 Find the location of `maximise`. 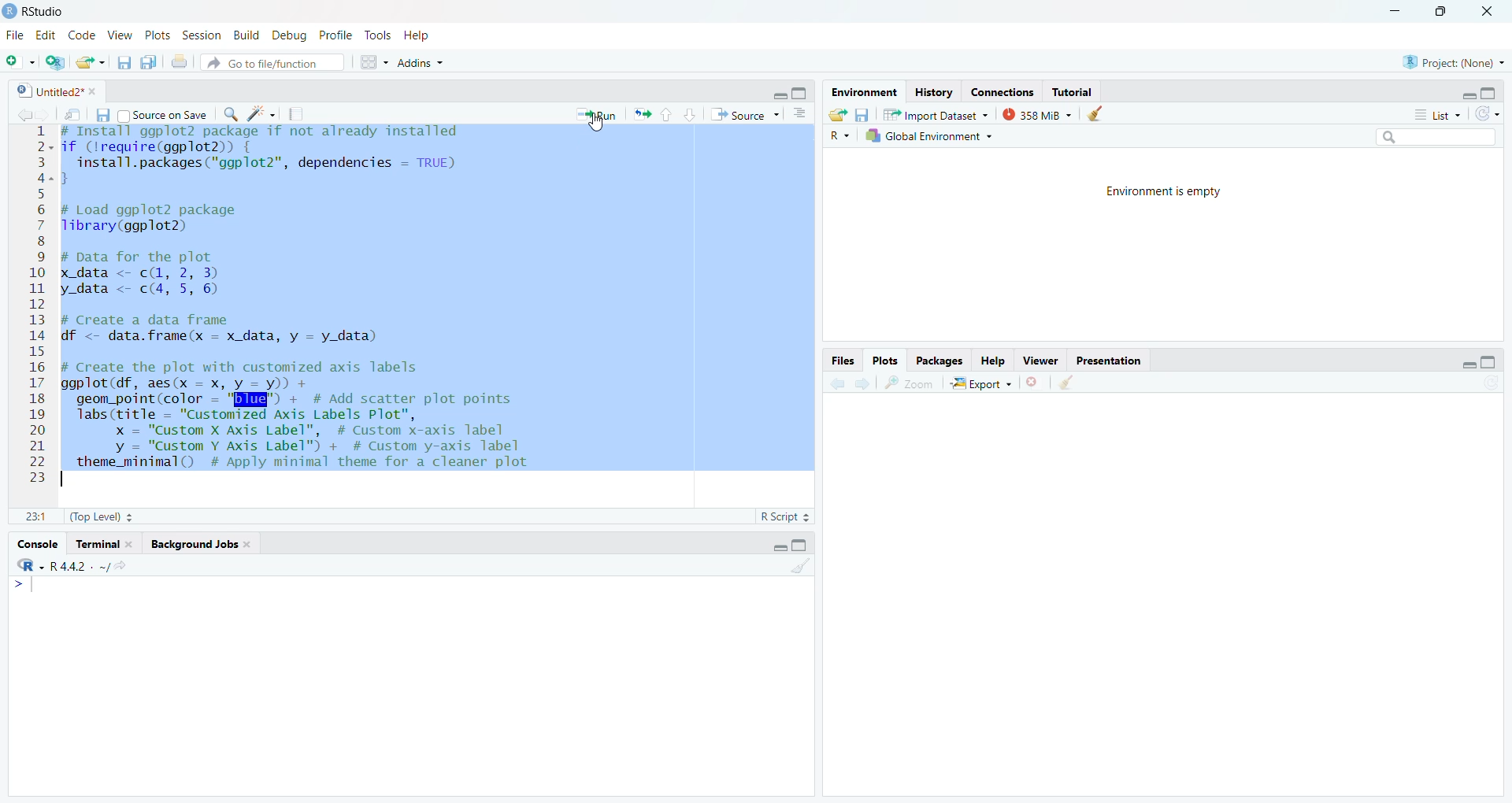

maximise is located at coordinates (1444, 12).